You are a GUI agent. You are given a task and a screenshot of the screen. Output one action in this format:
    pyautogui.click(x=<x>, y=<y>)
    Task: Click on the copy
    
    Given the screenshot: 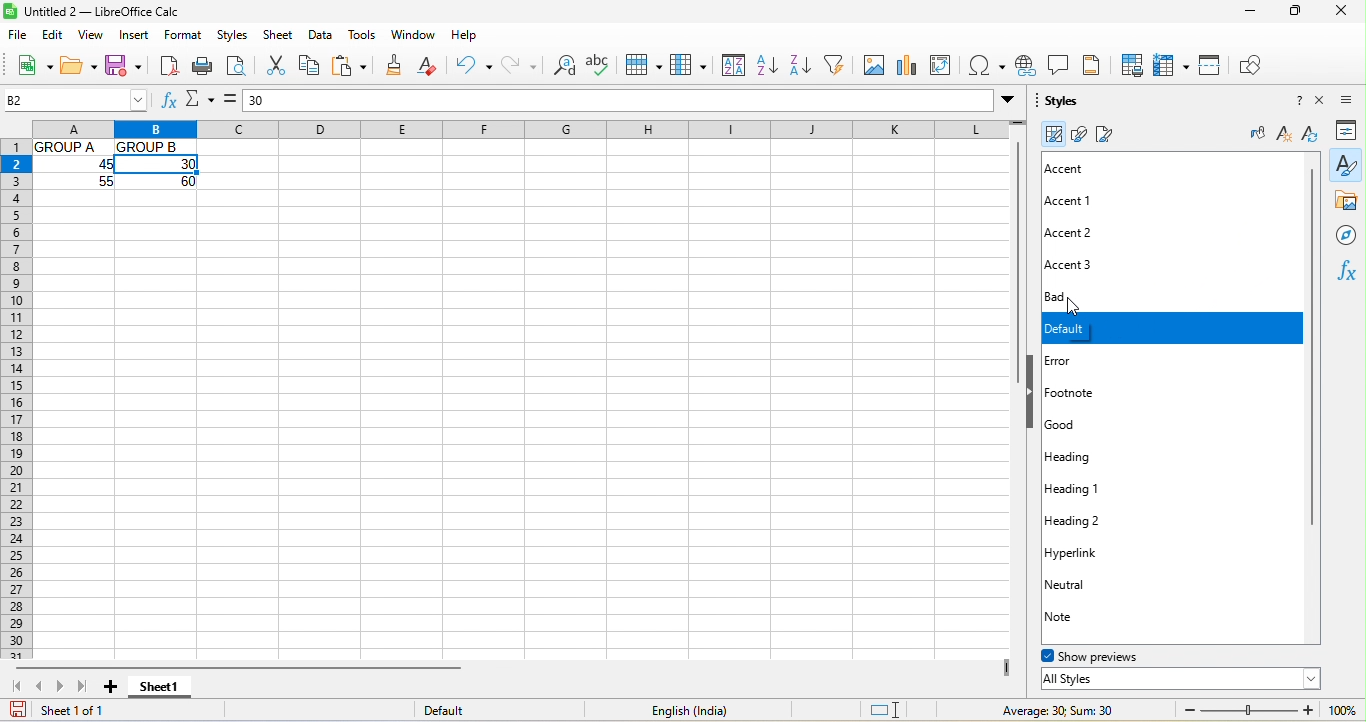 What is the action you would take?
    pyautogui.click(x=311, y=66)
    